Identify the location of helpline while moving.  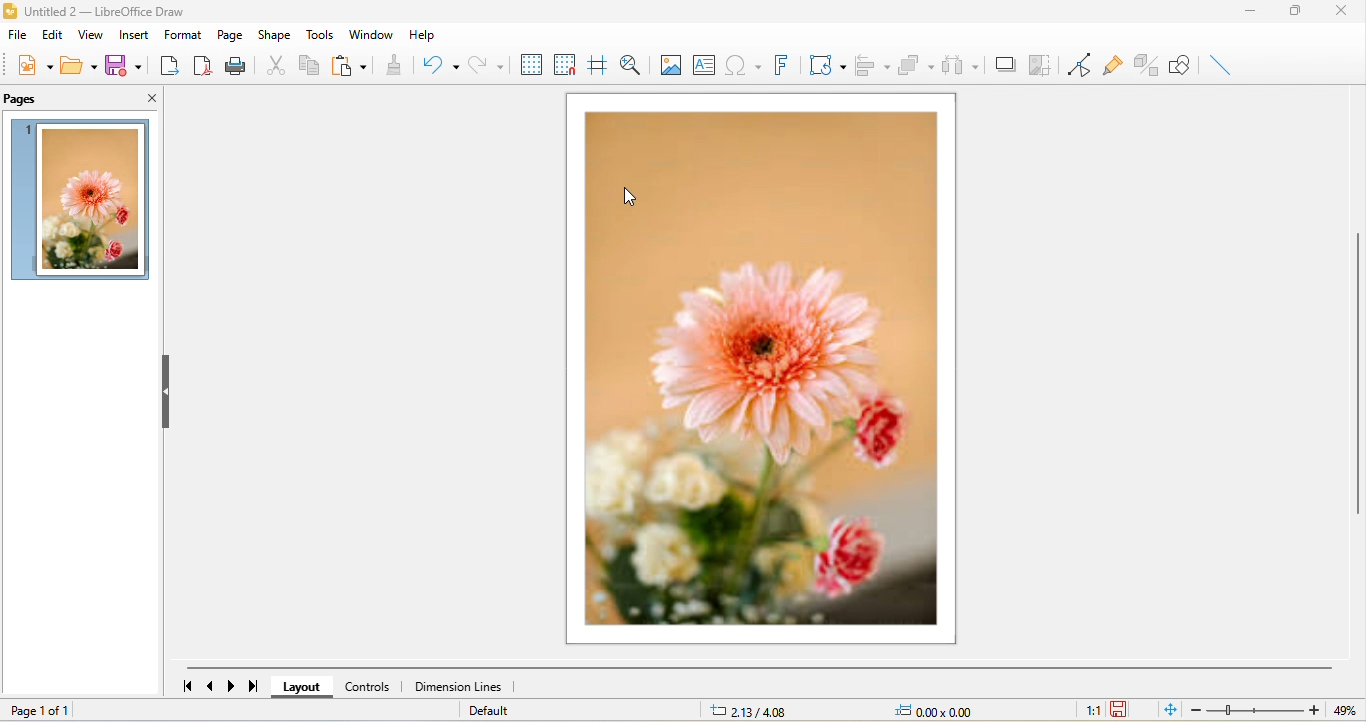
(597, 65).